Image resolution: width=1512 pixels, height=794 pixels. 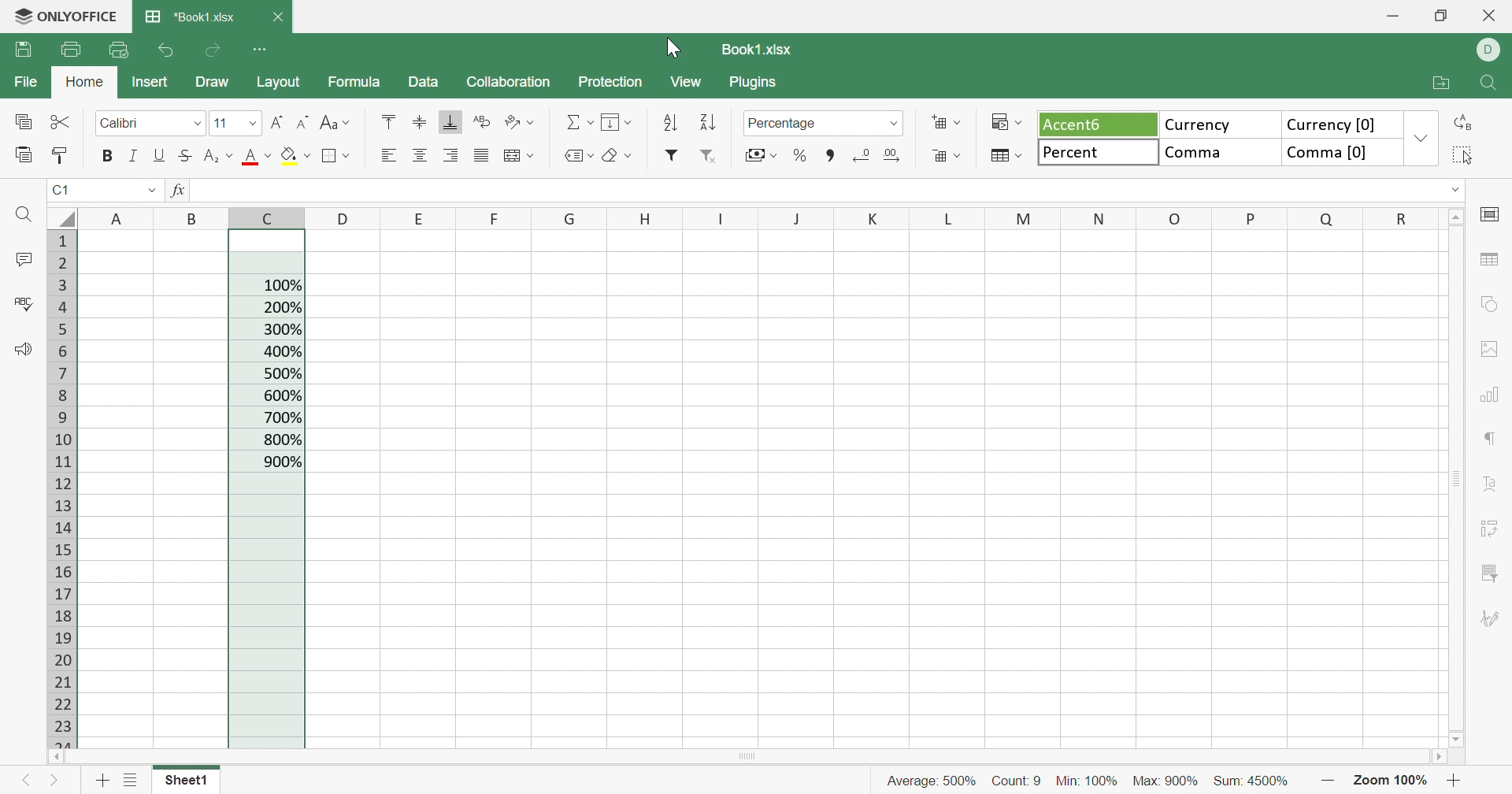 What do you see at coordinates (389, 121) in the screenshot?
I see `Align Top` at bounding box center [389, 121].